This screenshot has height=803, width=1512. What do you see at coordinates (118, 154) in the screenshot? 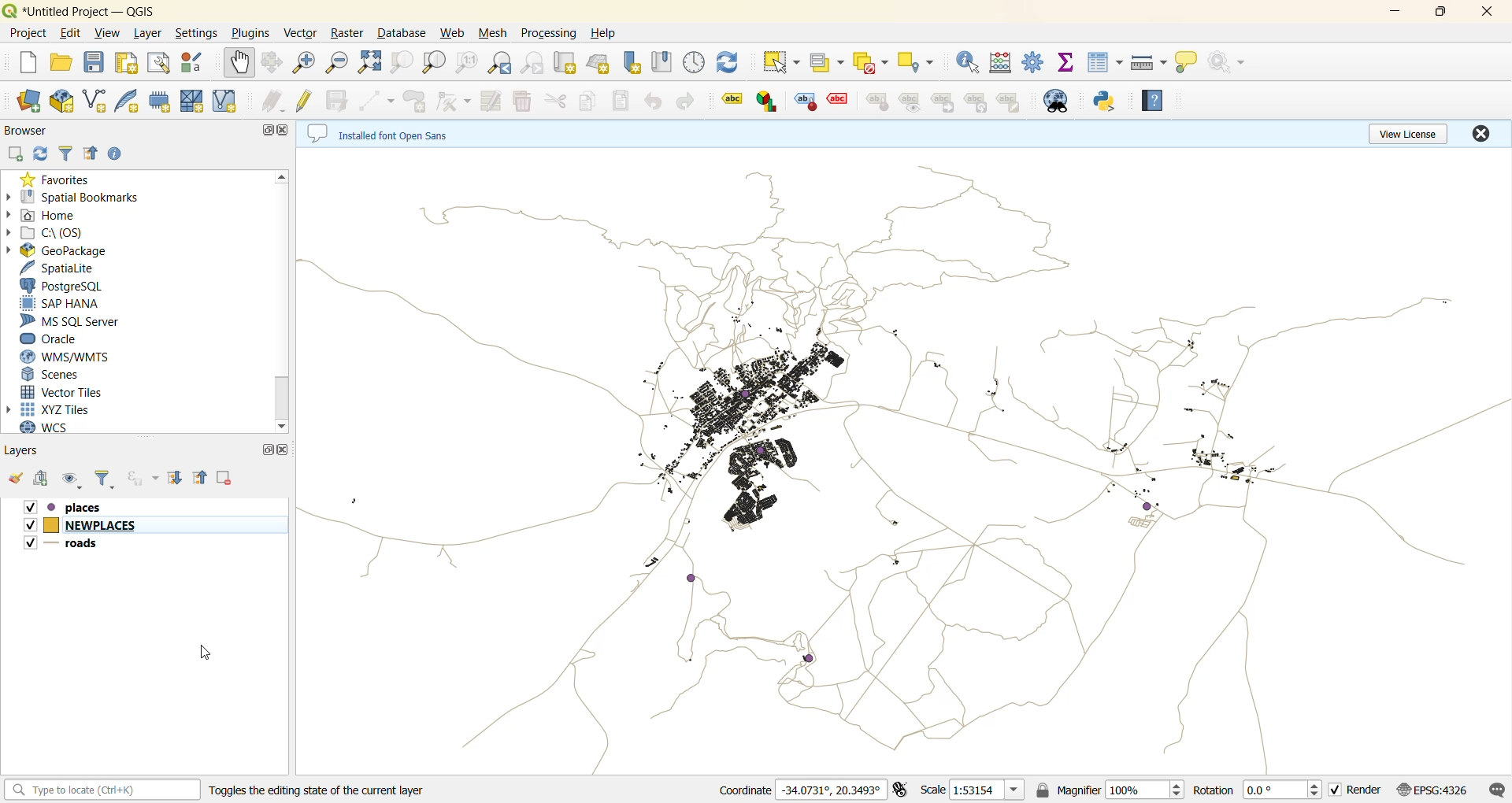
I see `enable/disable properties` at bounding box center [118, 154].